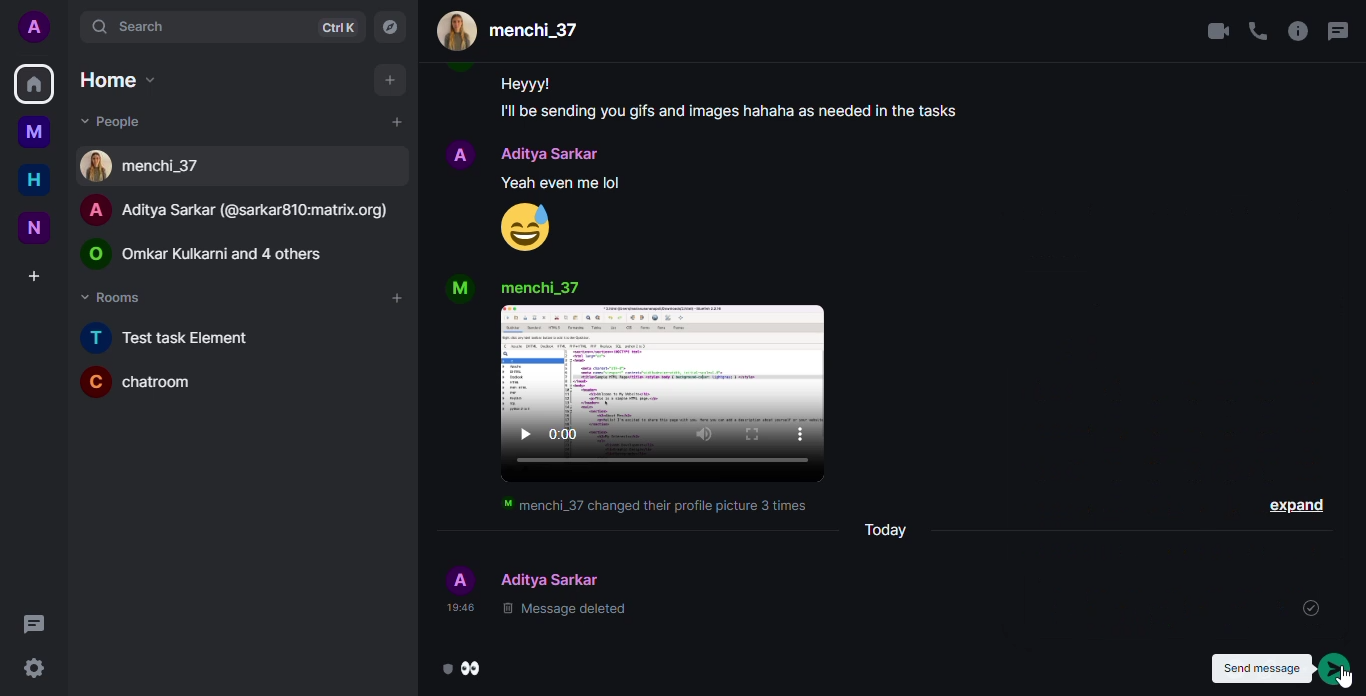 The height and width of the screenshot is (696, 1366). Describe the element at coordinates (464, 667) in the screenshot. I see `emoji insert` at that location.